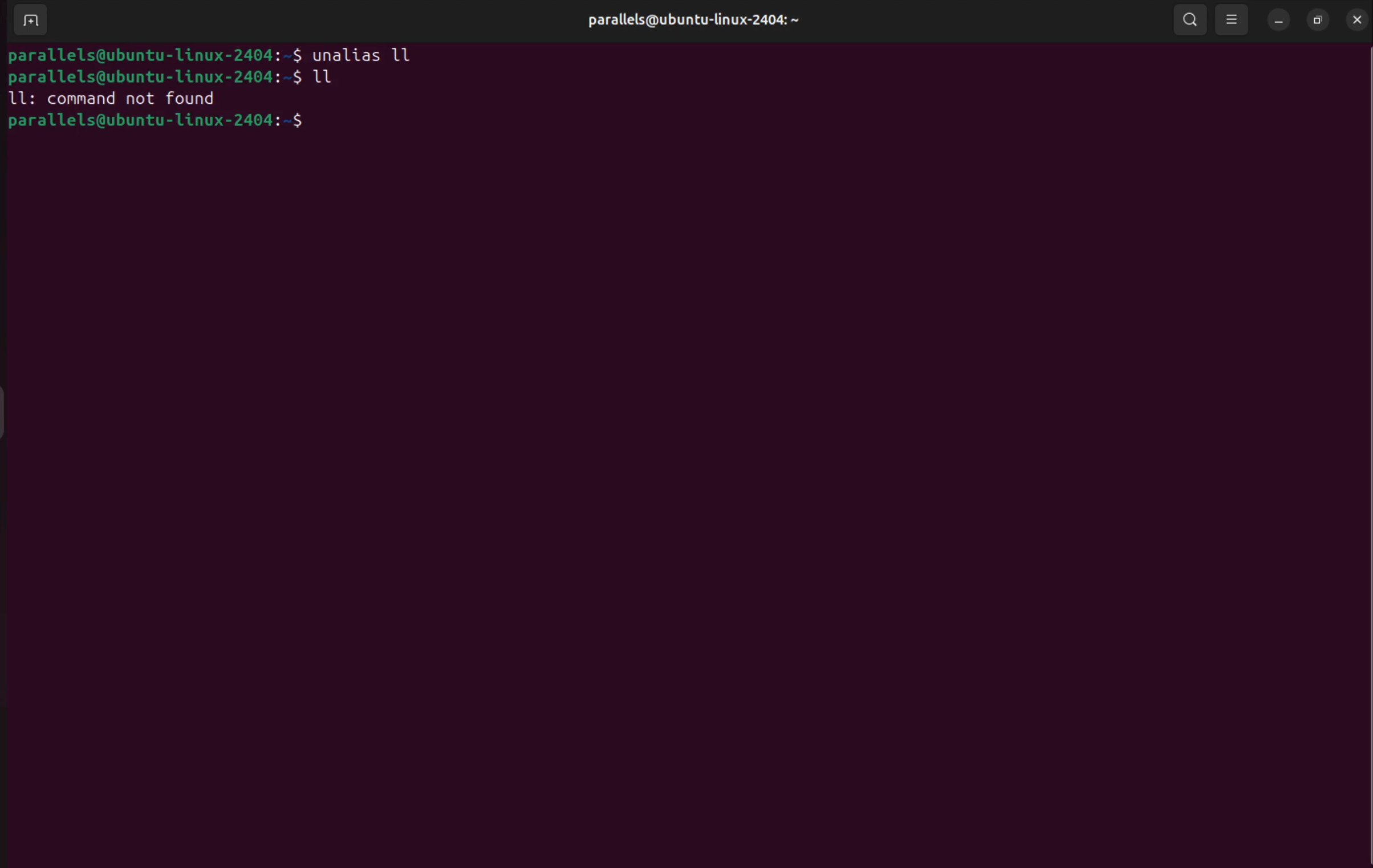 The image size is (1373, 868). Describe the element at coordinates (1317, 17) in the screenshot. I see `resize` at that location.